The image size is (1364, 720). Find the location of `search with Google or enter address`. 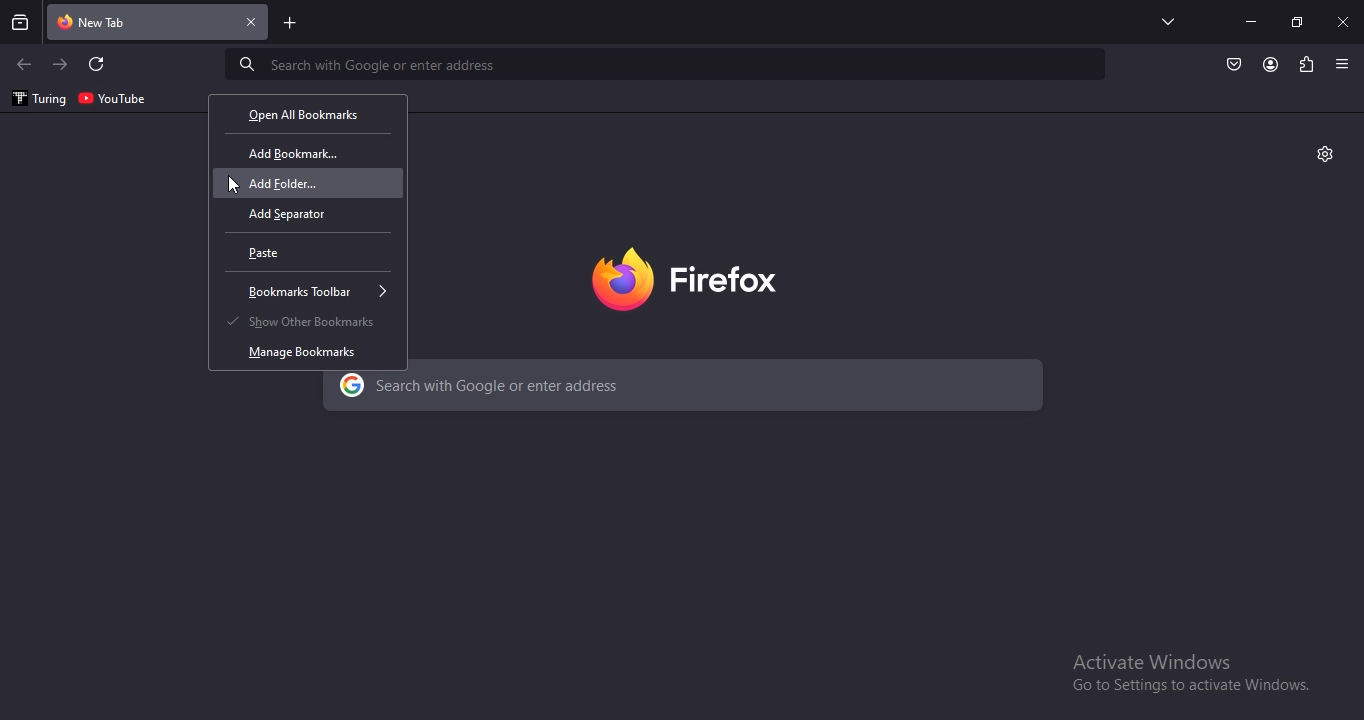

search with Google or enter address is located at coordinates (596, 382).